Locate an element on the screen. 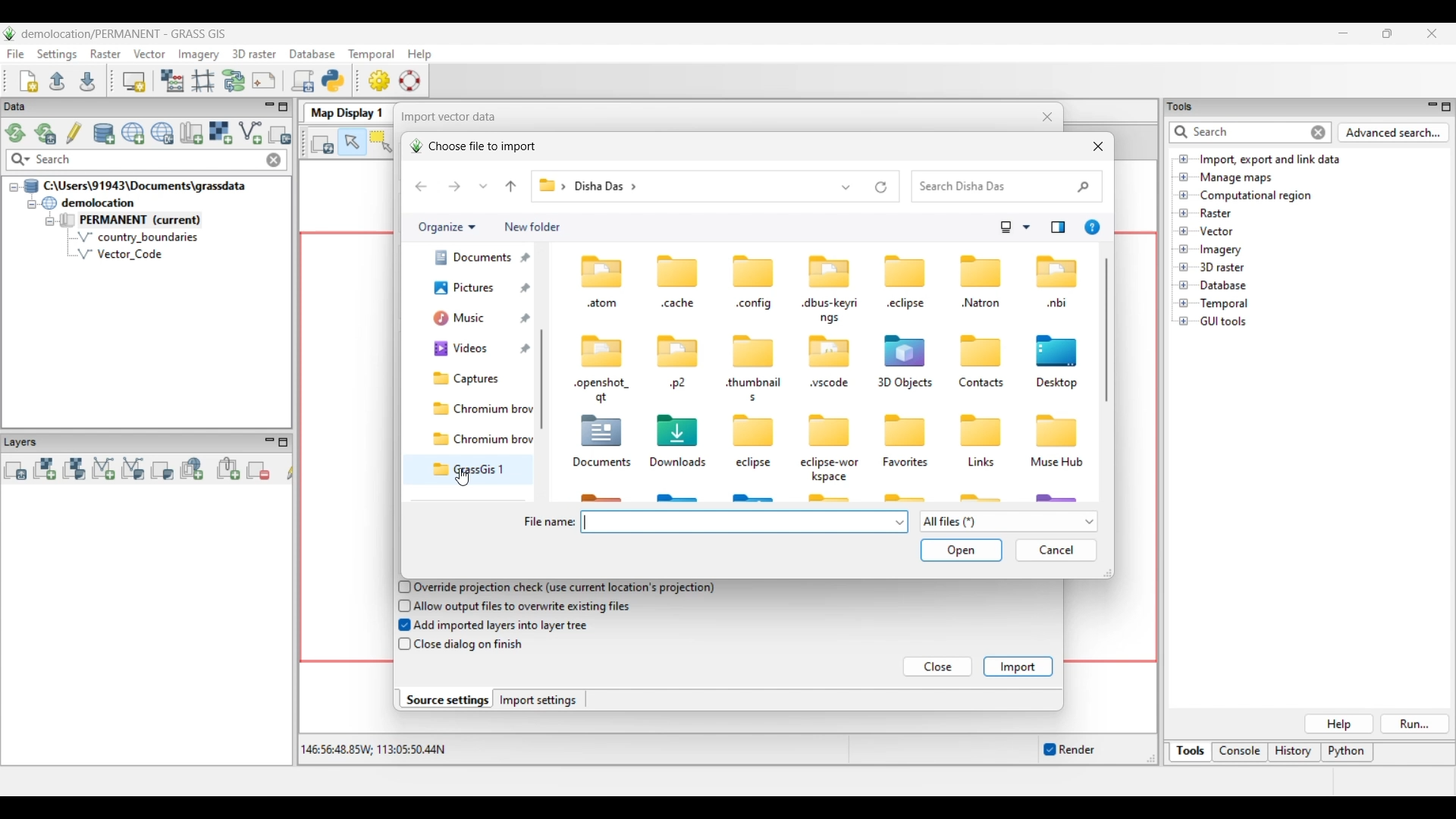  checkbox is located at coordinates (403, 645).